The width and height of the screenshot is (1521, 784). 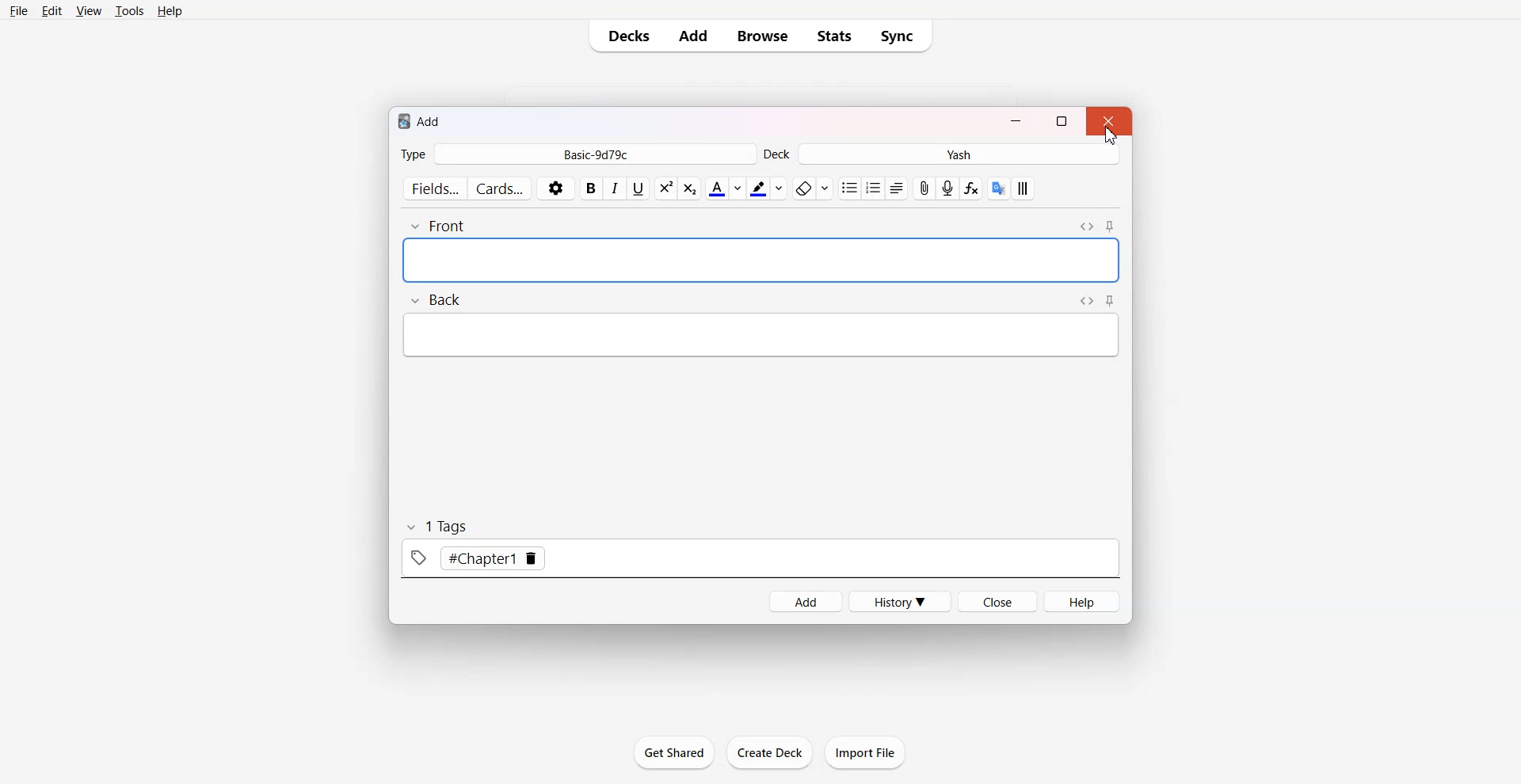 What do you see at coordinates (998, 188) in the screenshot?
I see `Google Translate` at bounding box center [998, 188].